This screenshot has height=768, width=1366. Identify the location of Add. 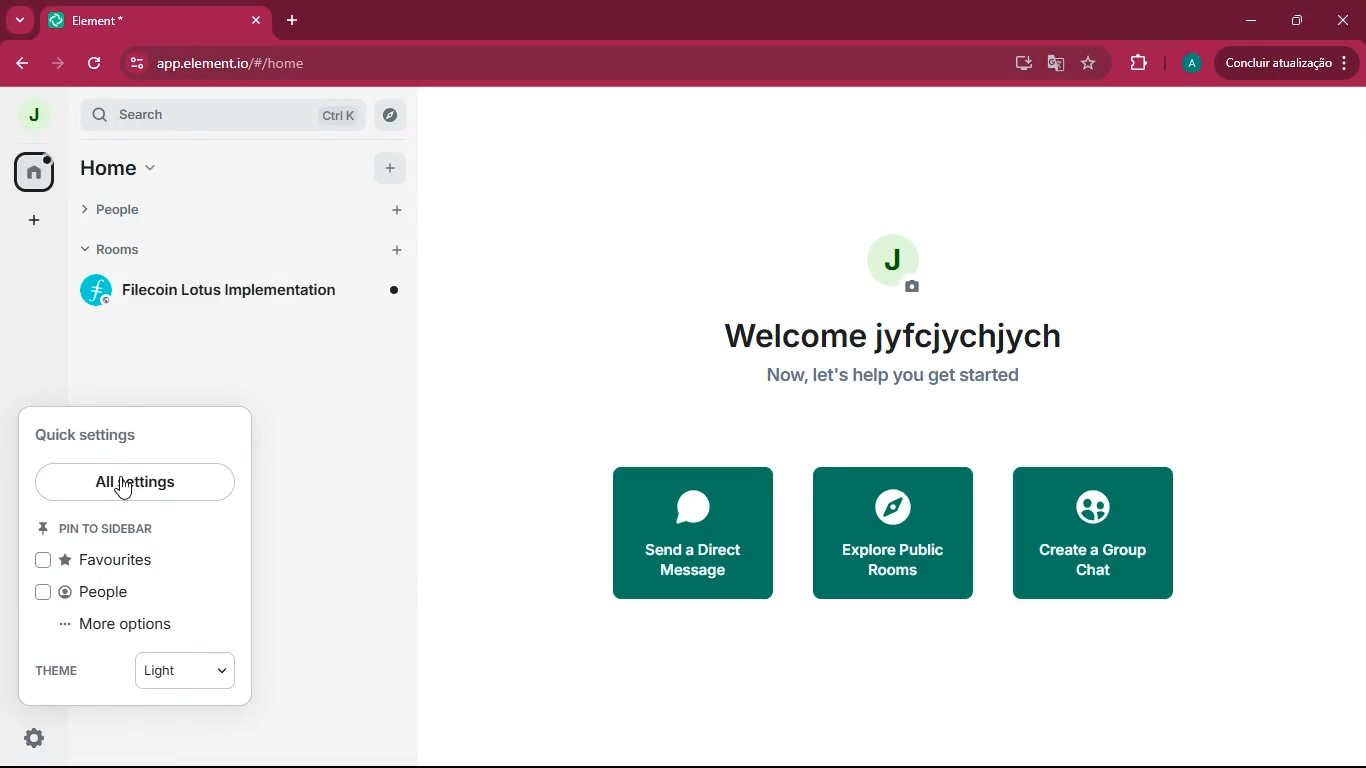
(393, 211).